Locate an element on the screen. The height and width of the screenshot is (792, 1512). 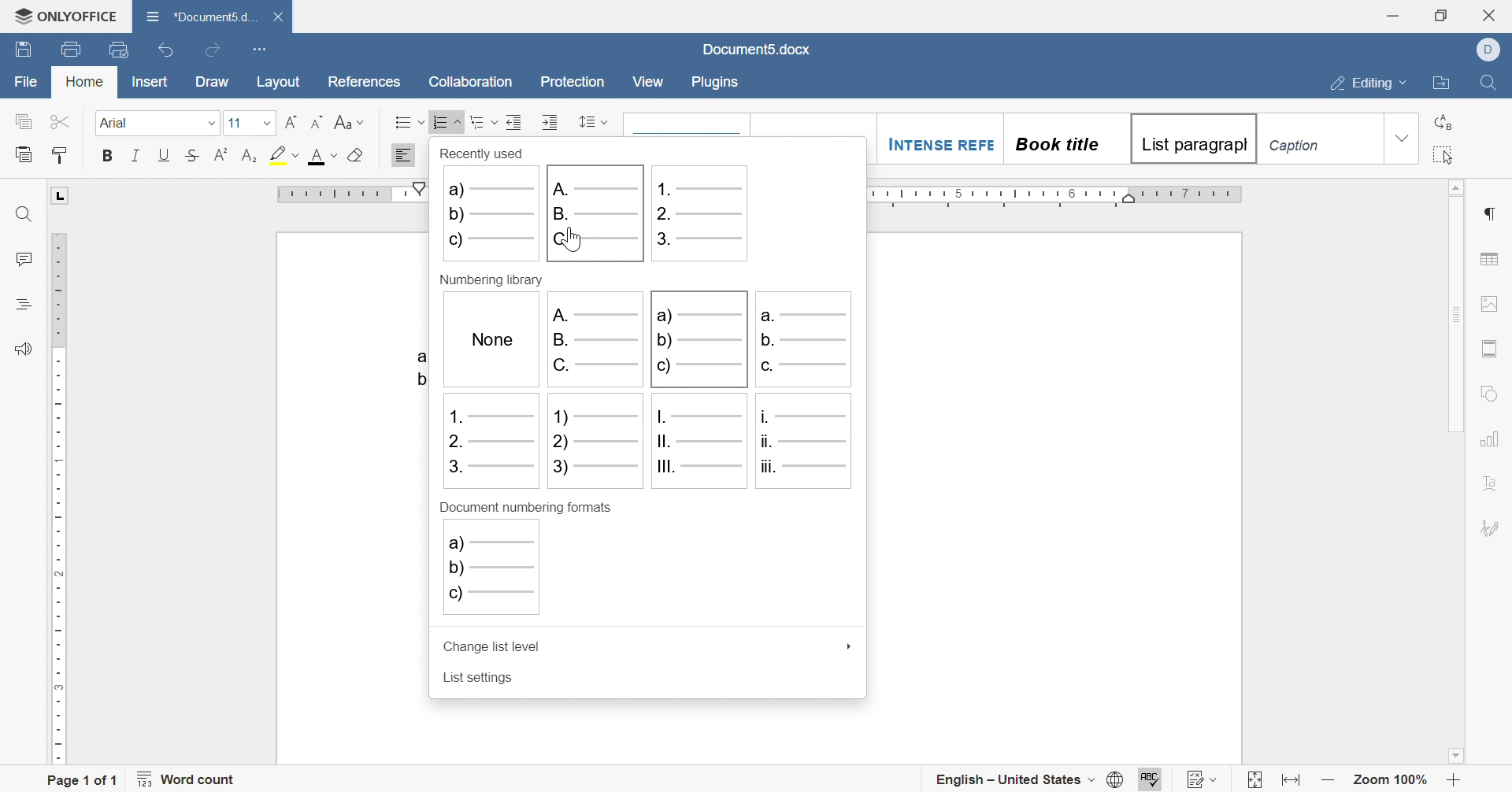
bullets is located at coordinates (409, 121).